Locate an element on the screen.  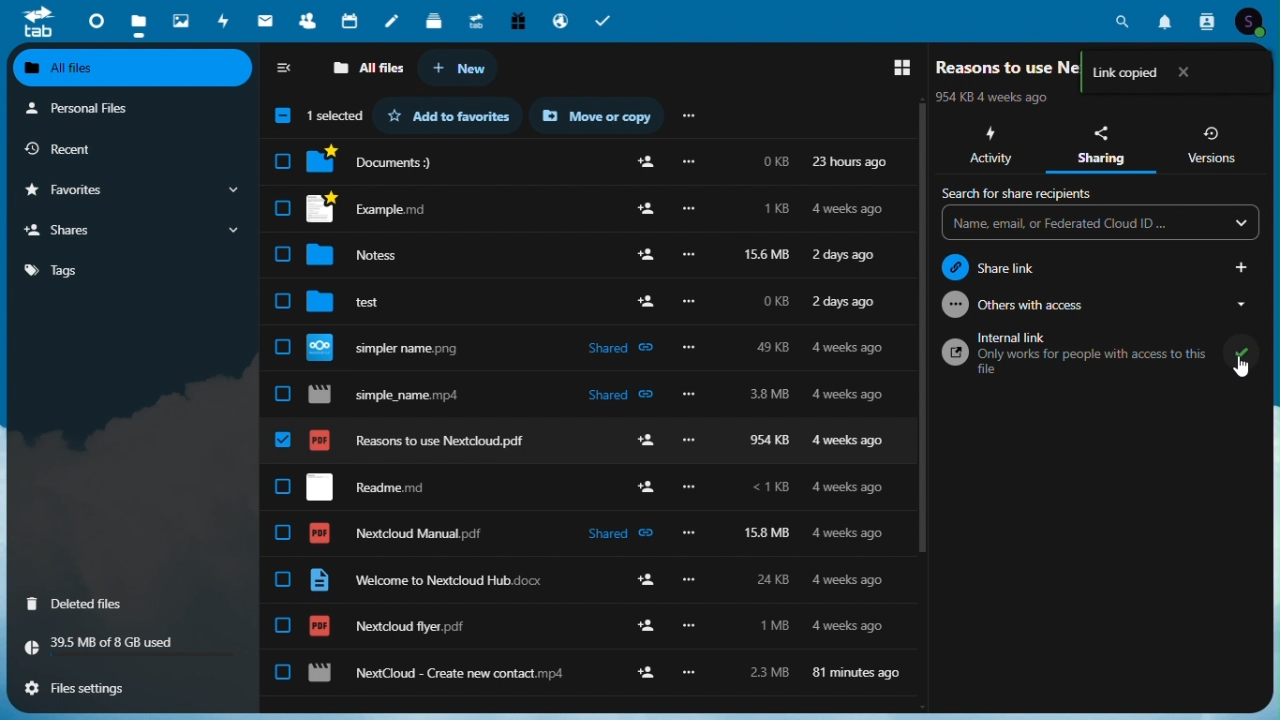
Calendar is located at coordinates (350, 22).